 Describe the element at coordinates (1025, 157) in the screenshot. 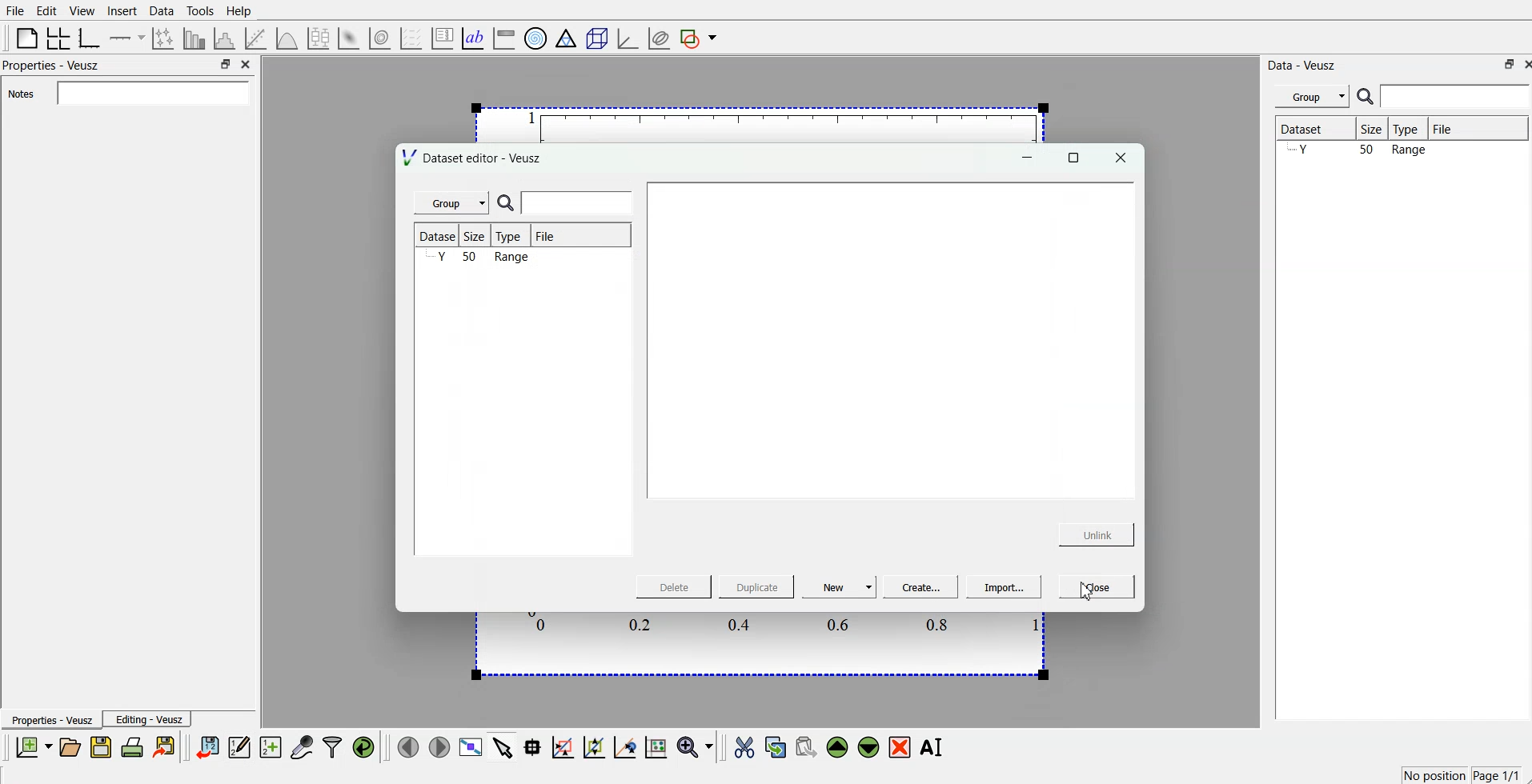

I see `minimise` at that location.